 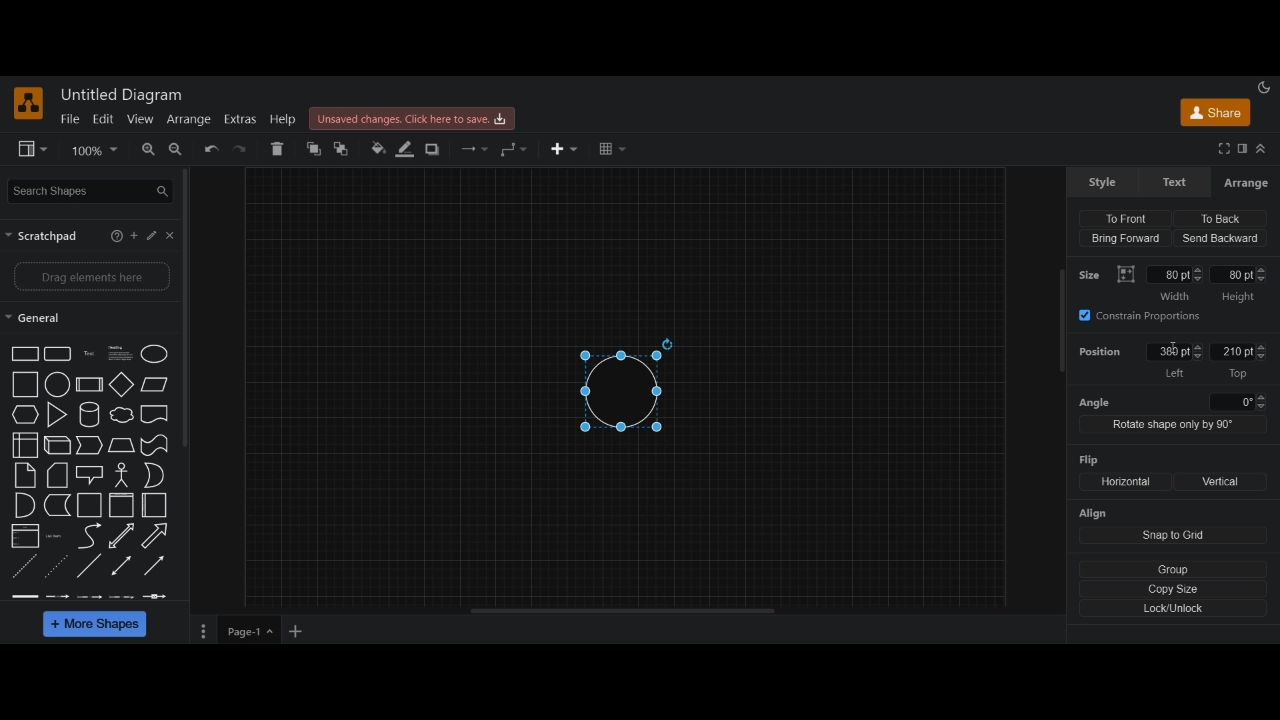 I want to click on Rombus, so click(x=122, y=446).